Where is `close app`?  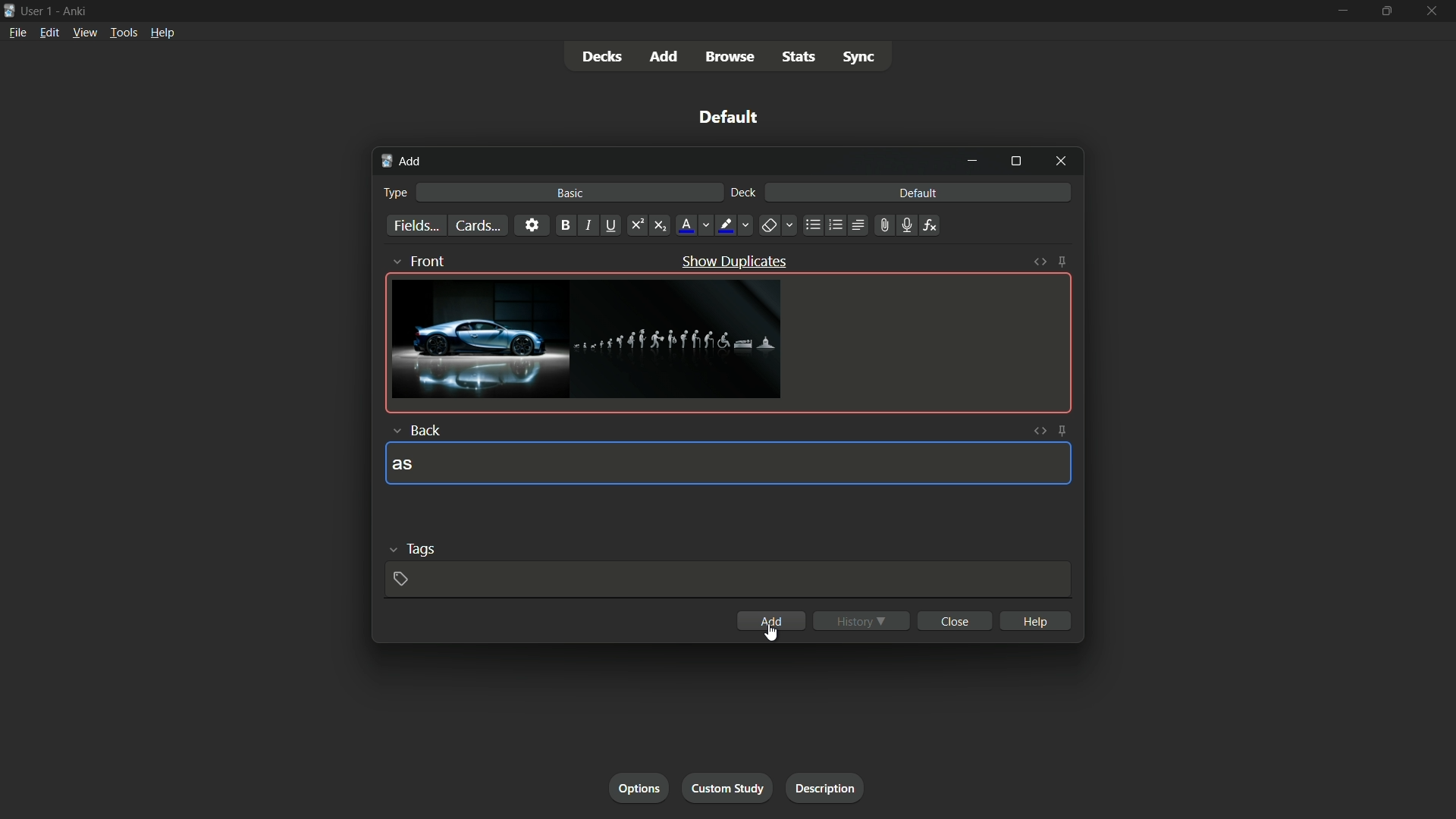 close app is located at coordinates (1434, 11).